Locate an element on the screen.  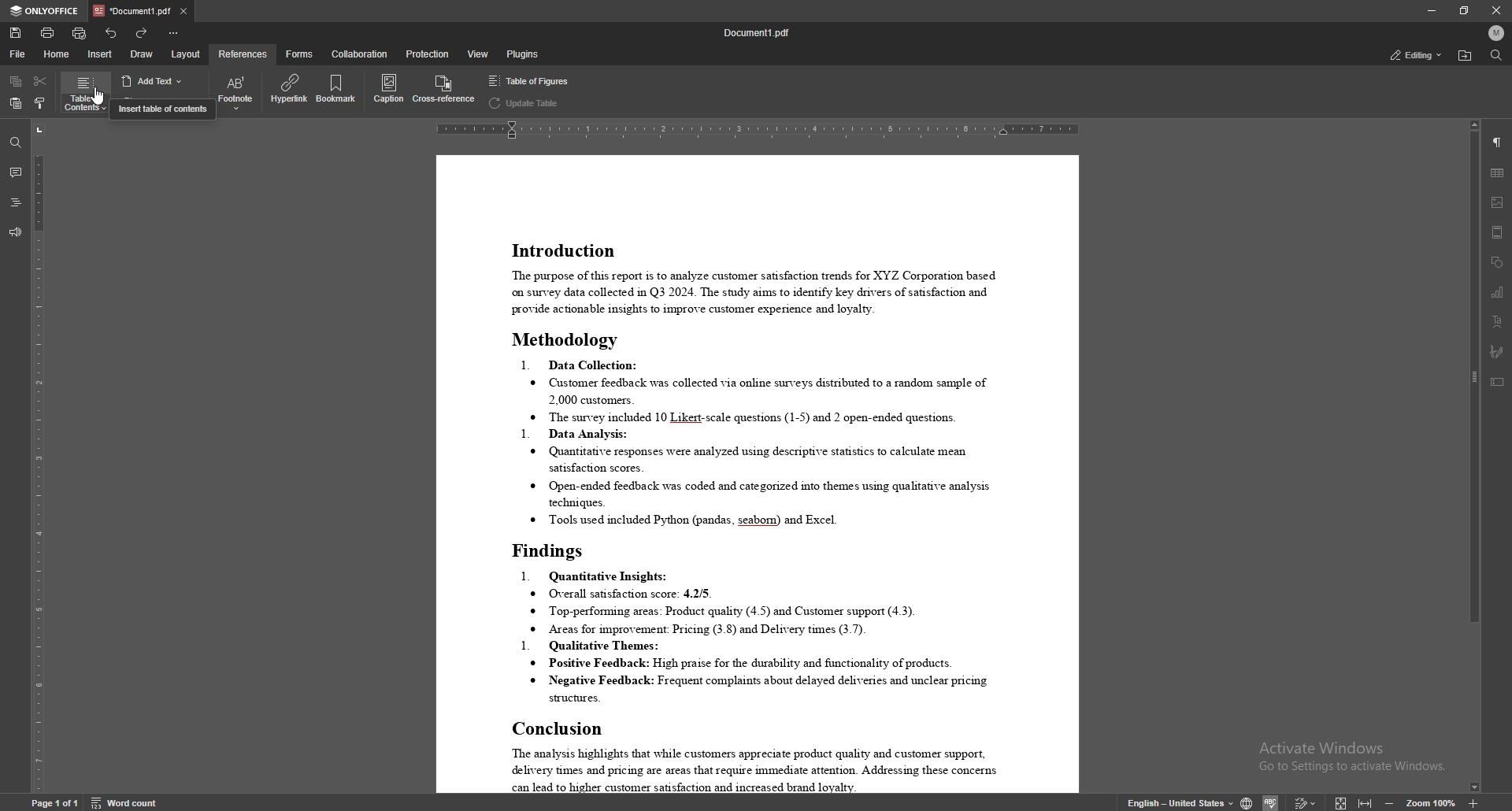
save is located at coordinates (16, 33).